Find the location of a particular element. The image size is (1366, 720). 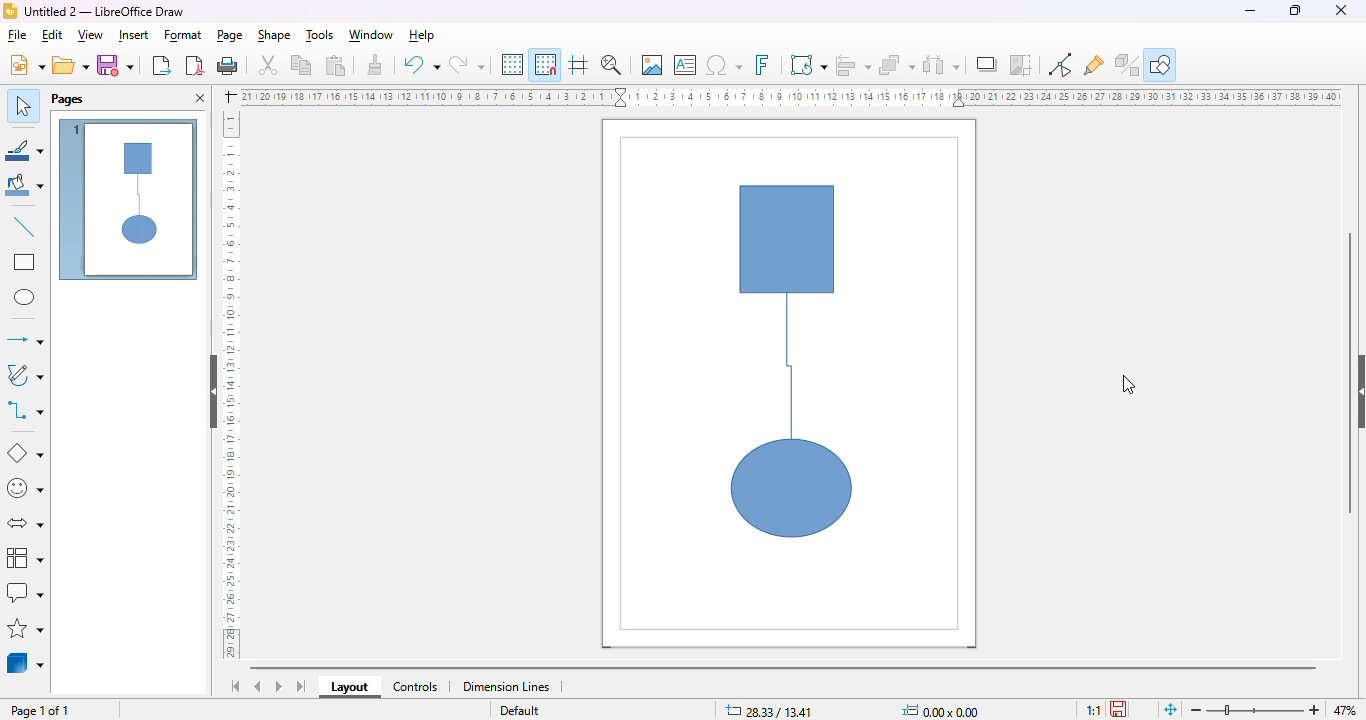

close pane is located at coordinates (199, 99).